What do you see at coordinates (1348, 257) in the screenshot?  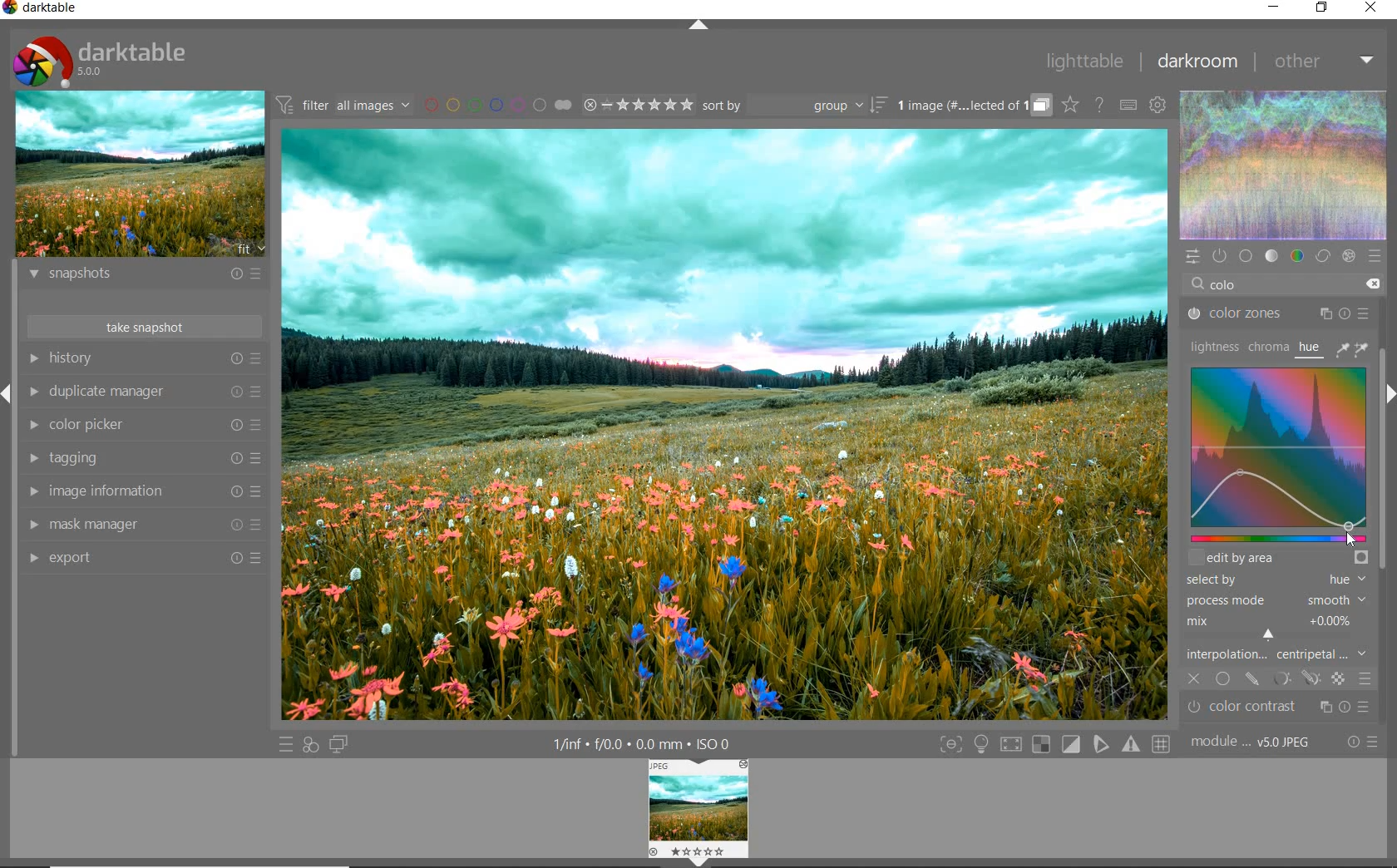 I see `effect` at bounding box center [1348, 257].